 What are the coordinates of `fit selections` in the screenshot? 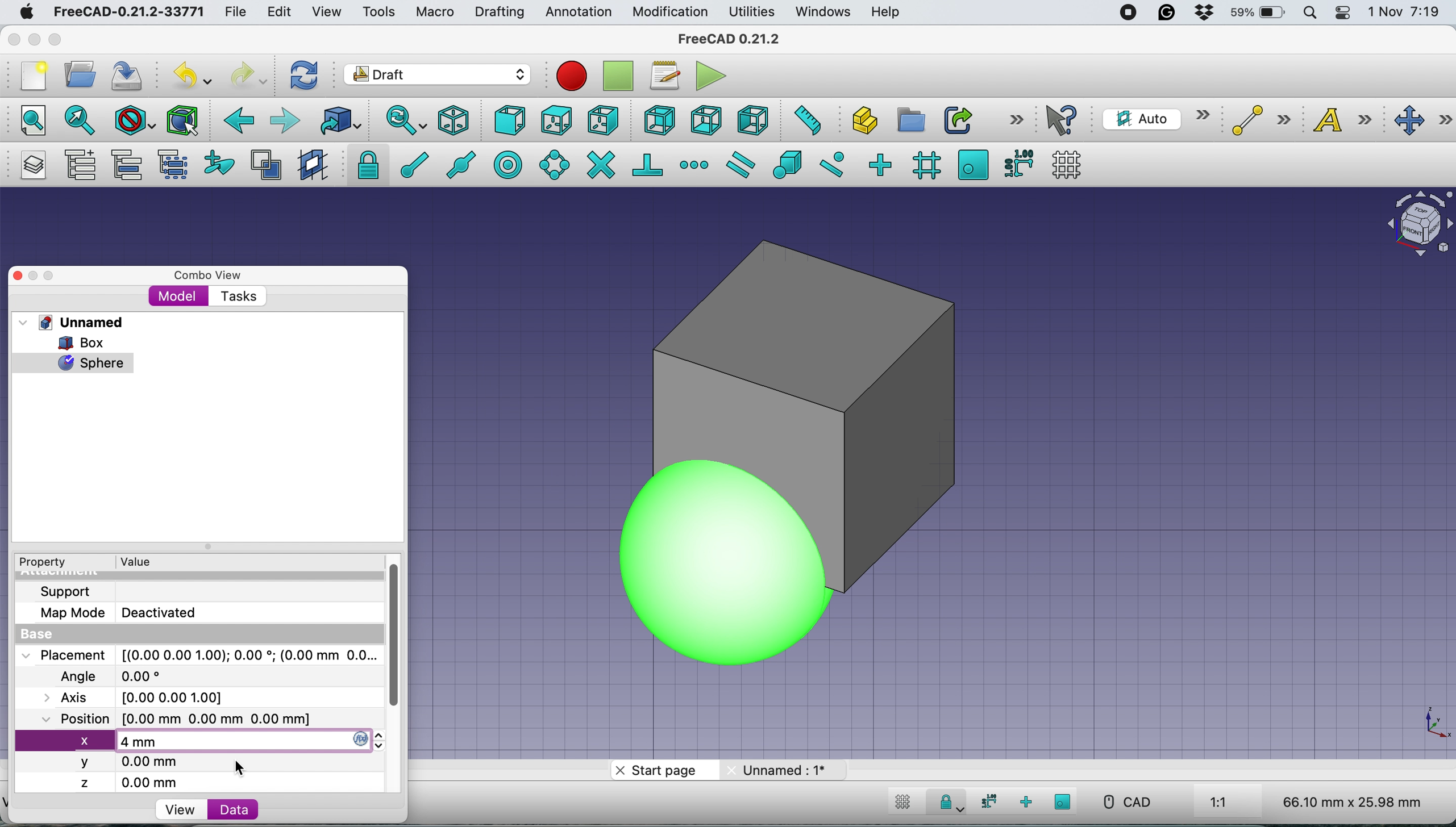 It's located at (83, 119).